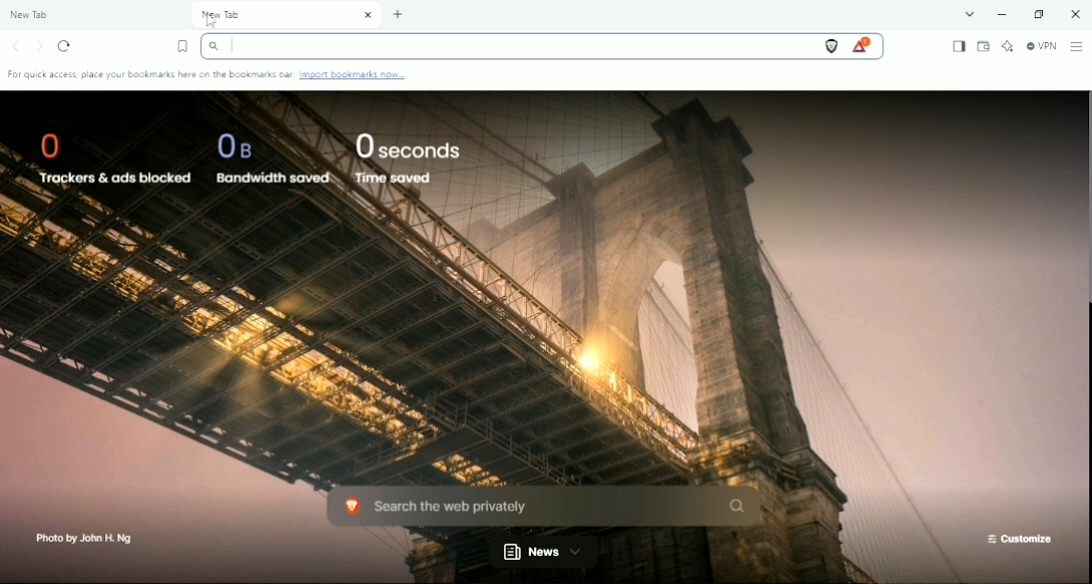 The width and height of the screenshot is (1092, 584). What do you see at coordinates (64, 45) in the screenshot?
I see `Reload this page` at bounding box center [64, 45].